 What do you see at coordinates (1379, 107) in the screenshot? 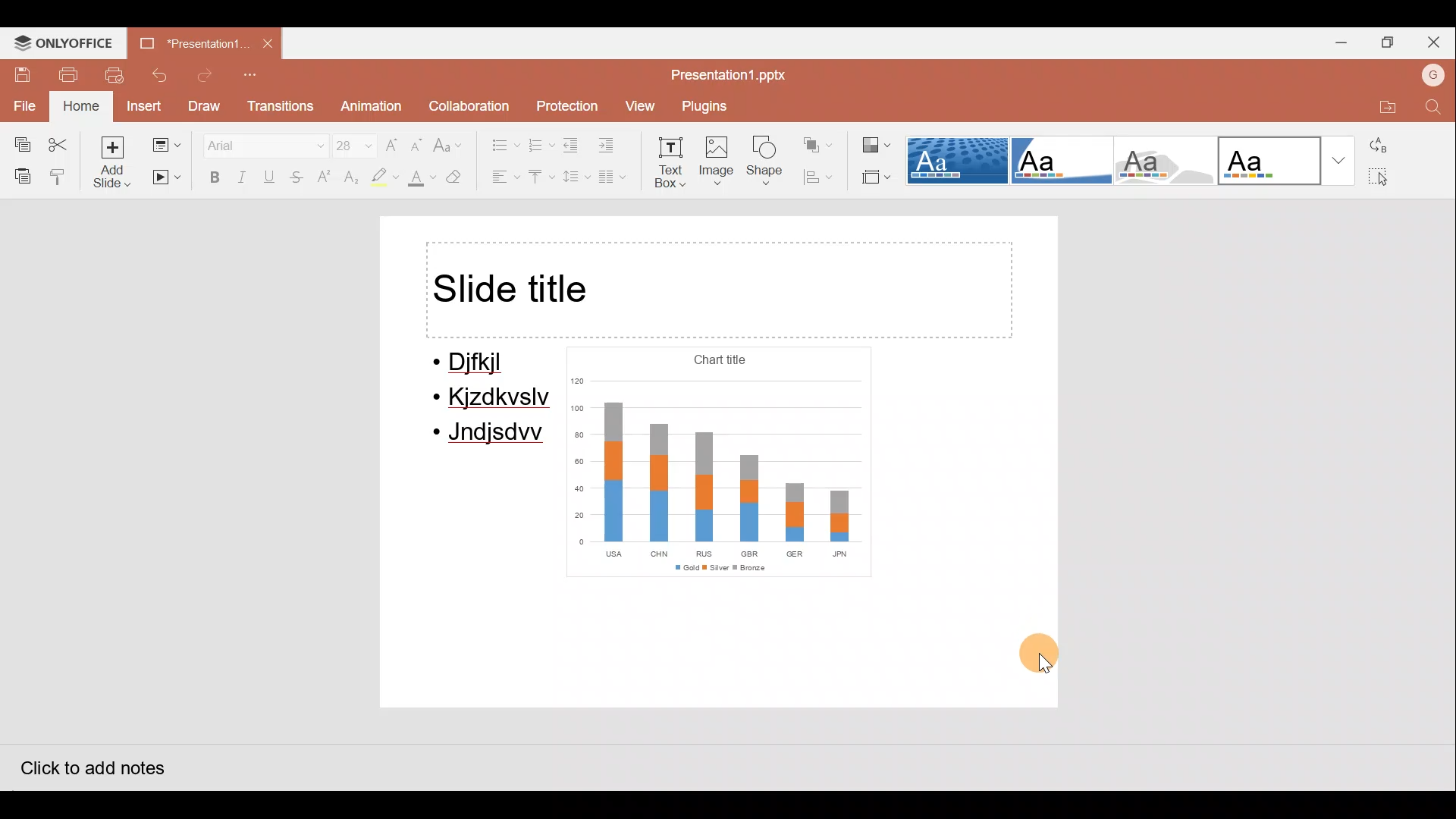
I see `Open file location` at bounding box center [1379, 107].